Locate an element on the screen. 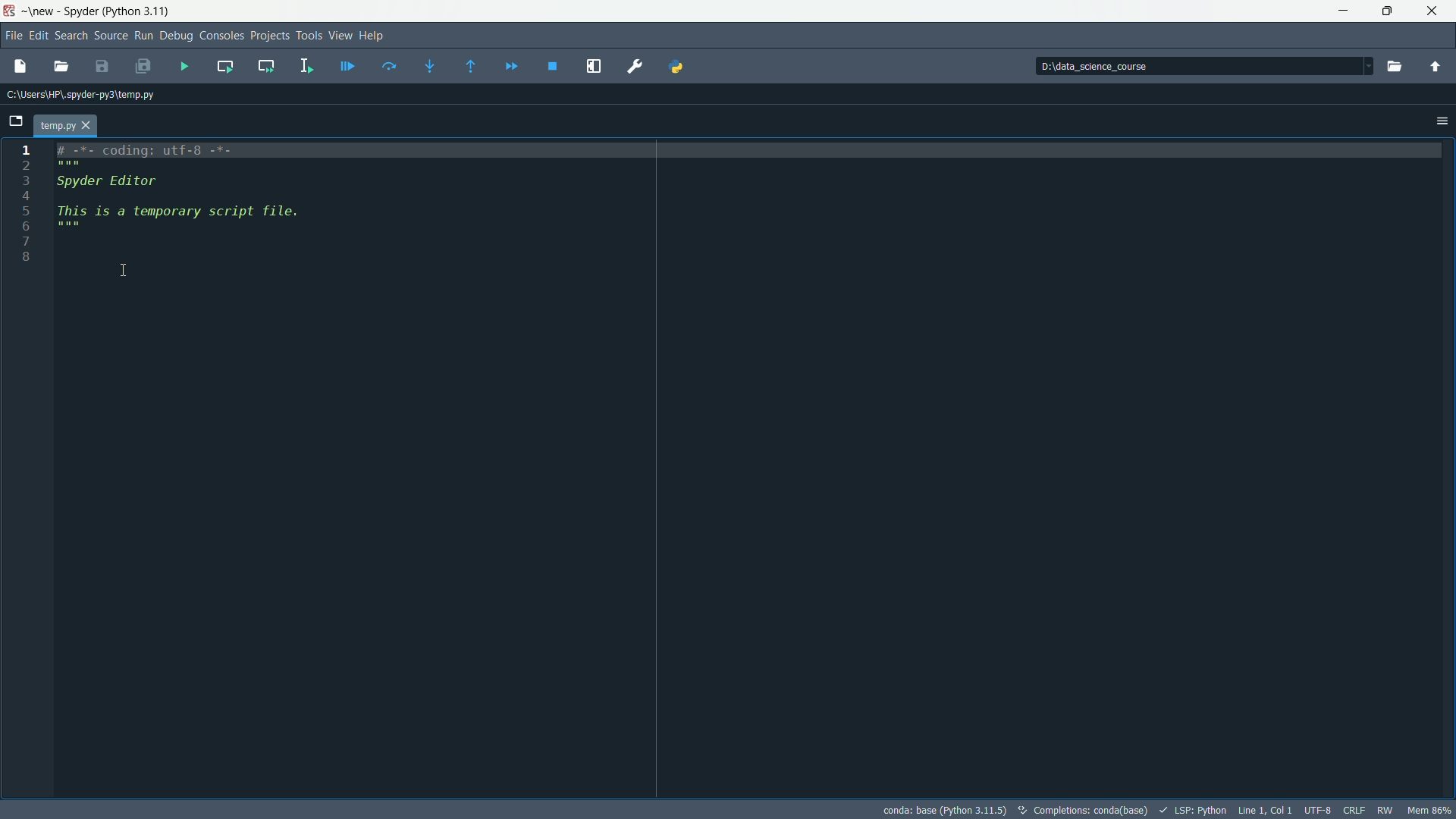 The width and height of the screenshot is (1456, 819). 1 # -*- coding: utf-8 -*- is located at coordinates (145, 149).